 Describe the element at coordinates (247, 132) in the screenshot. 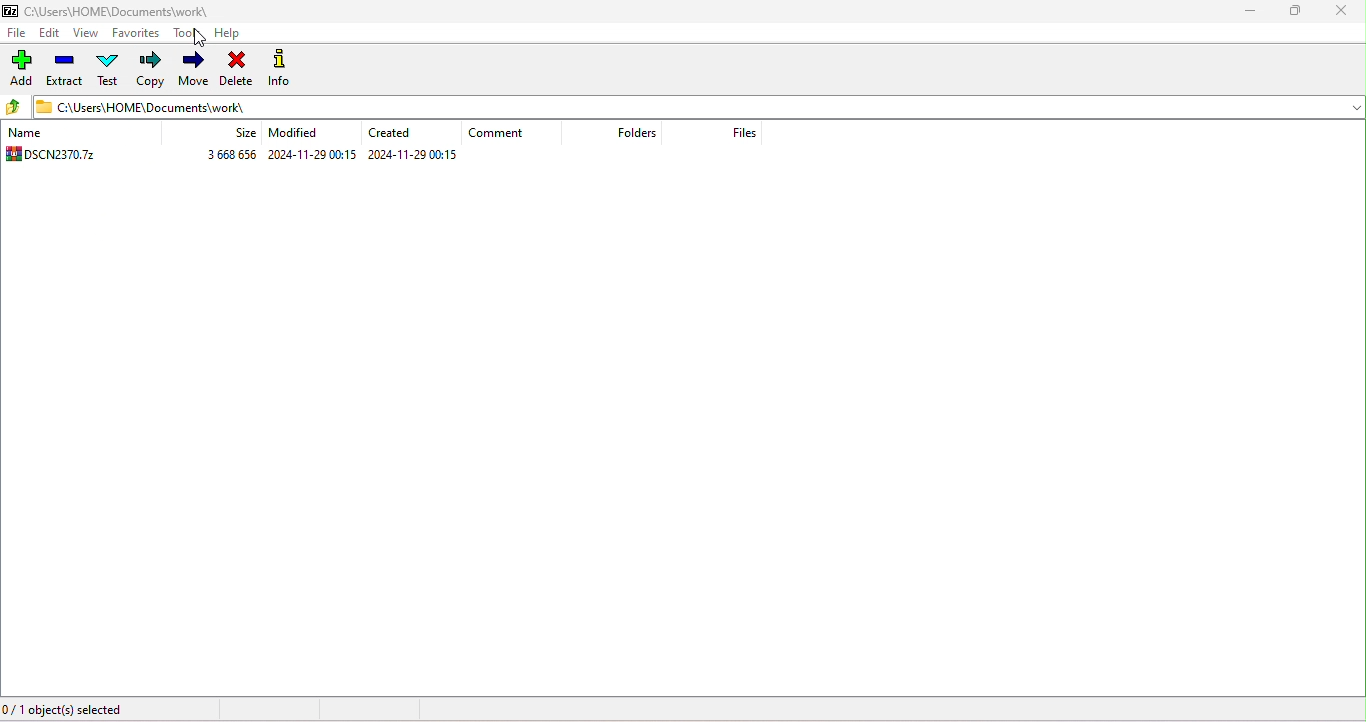

I see `size` at that location.